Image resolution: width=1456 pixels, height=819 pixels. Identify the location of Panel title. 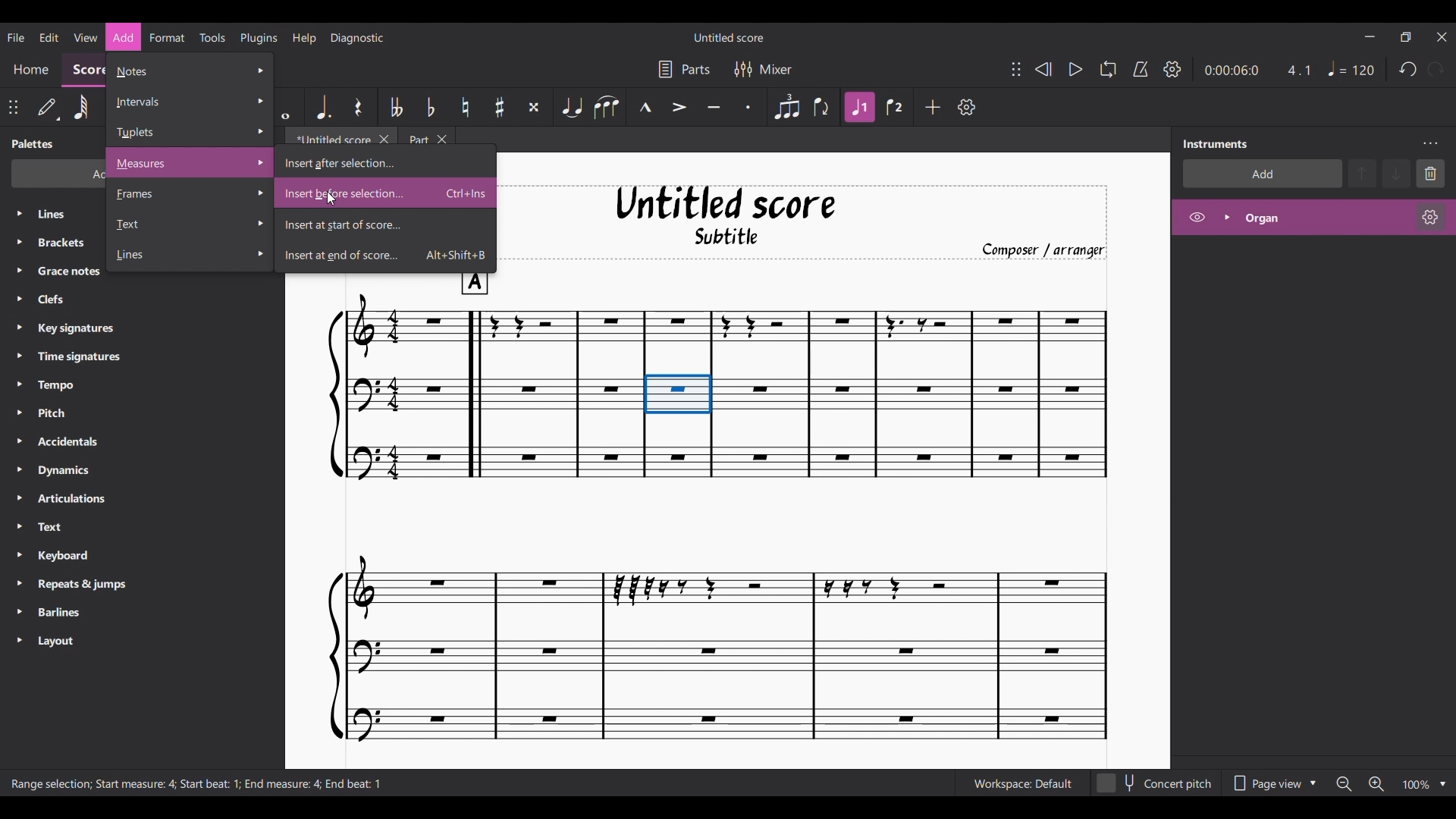
(1214, 143).